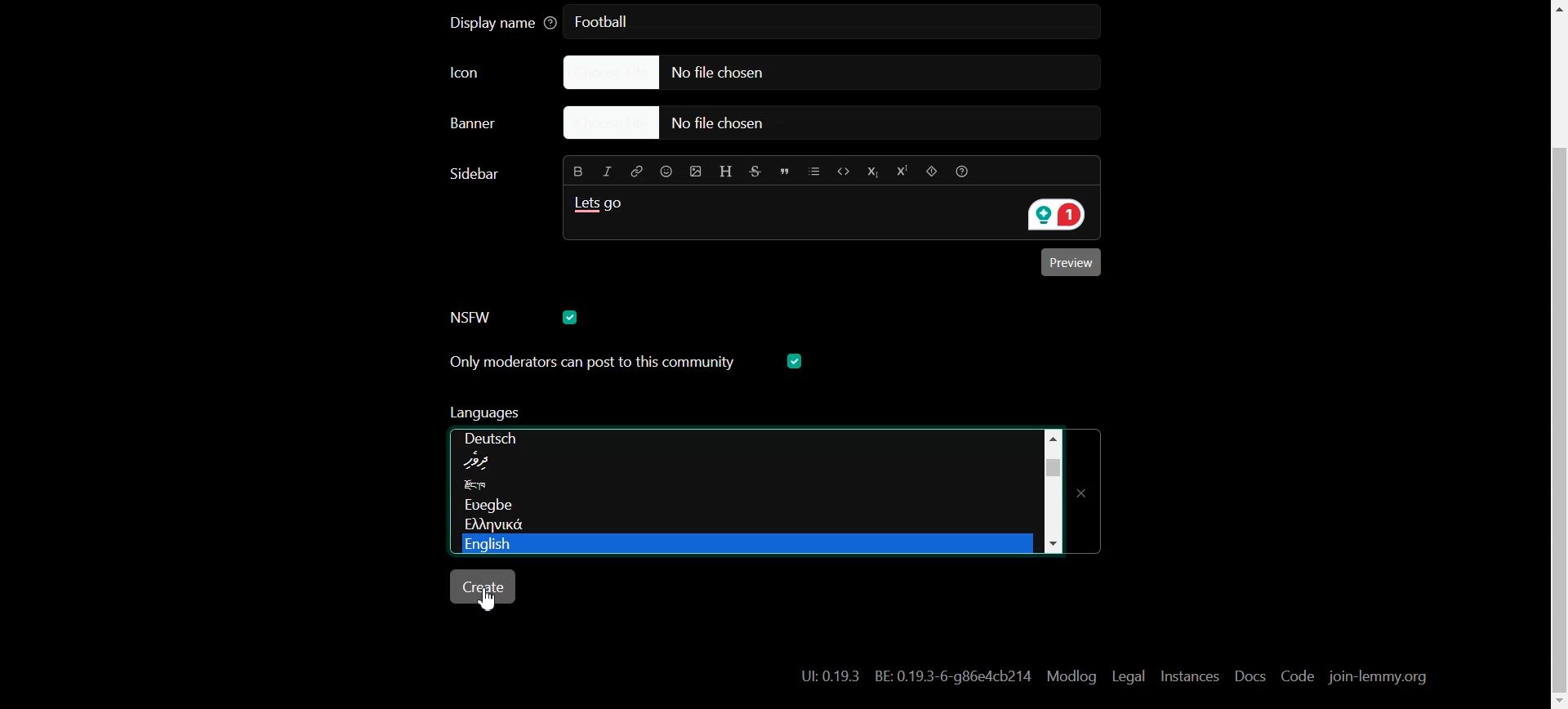 The image size is (1568, 709). What do you see at coordinates (483, 74) in the screenshot?
I see `Icon ` at bounding box center [483, 74].